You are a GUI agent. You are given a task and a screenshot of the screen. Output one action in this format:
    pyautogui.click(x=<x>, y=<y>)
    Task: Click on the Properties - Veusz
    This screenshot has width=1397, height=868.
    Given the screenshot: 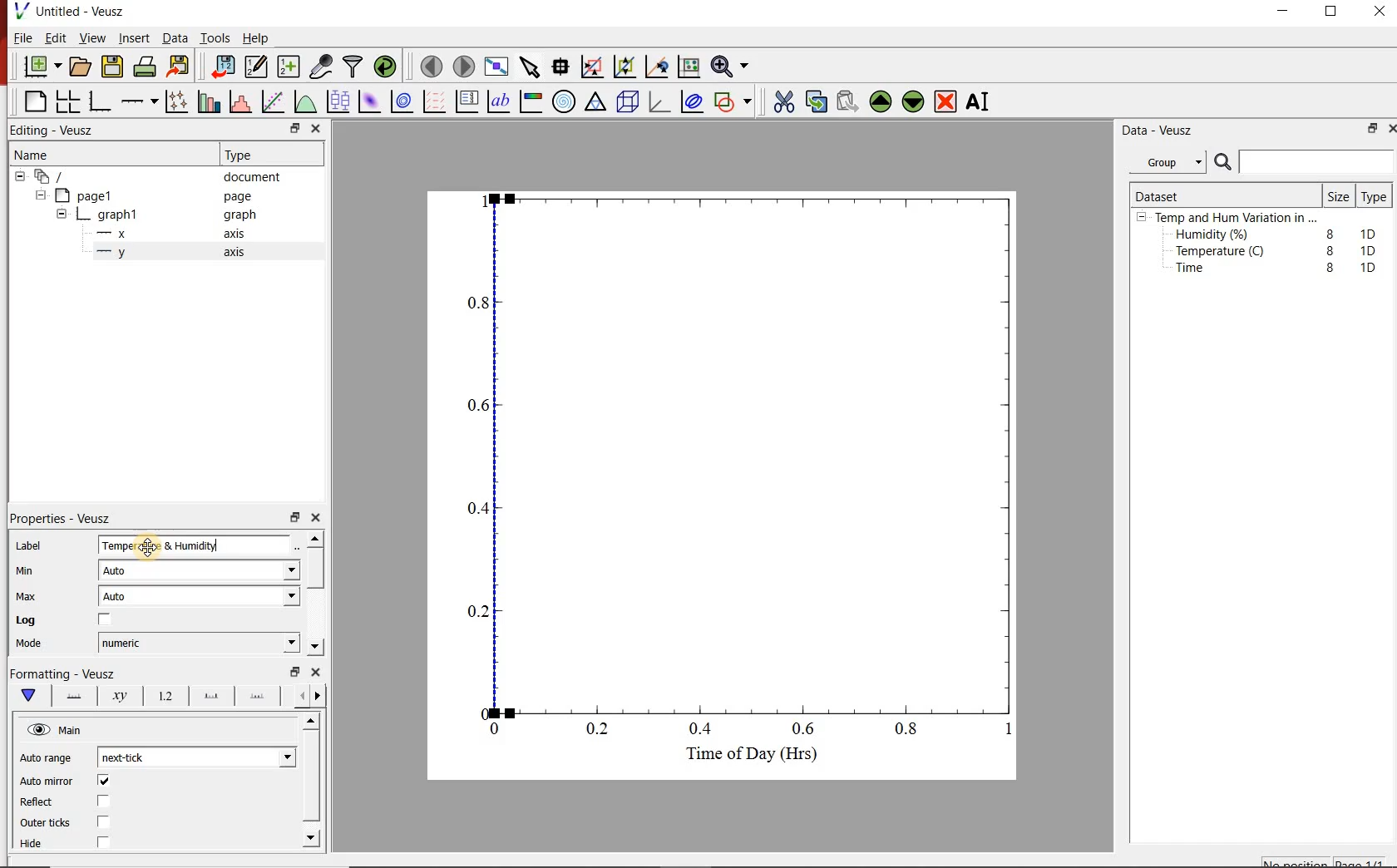 What is the action you would take?
    pyautogui.click(x=69, y=515)
    